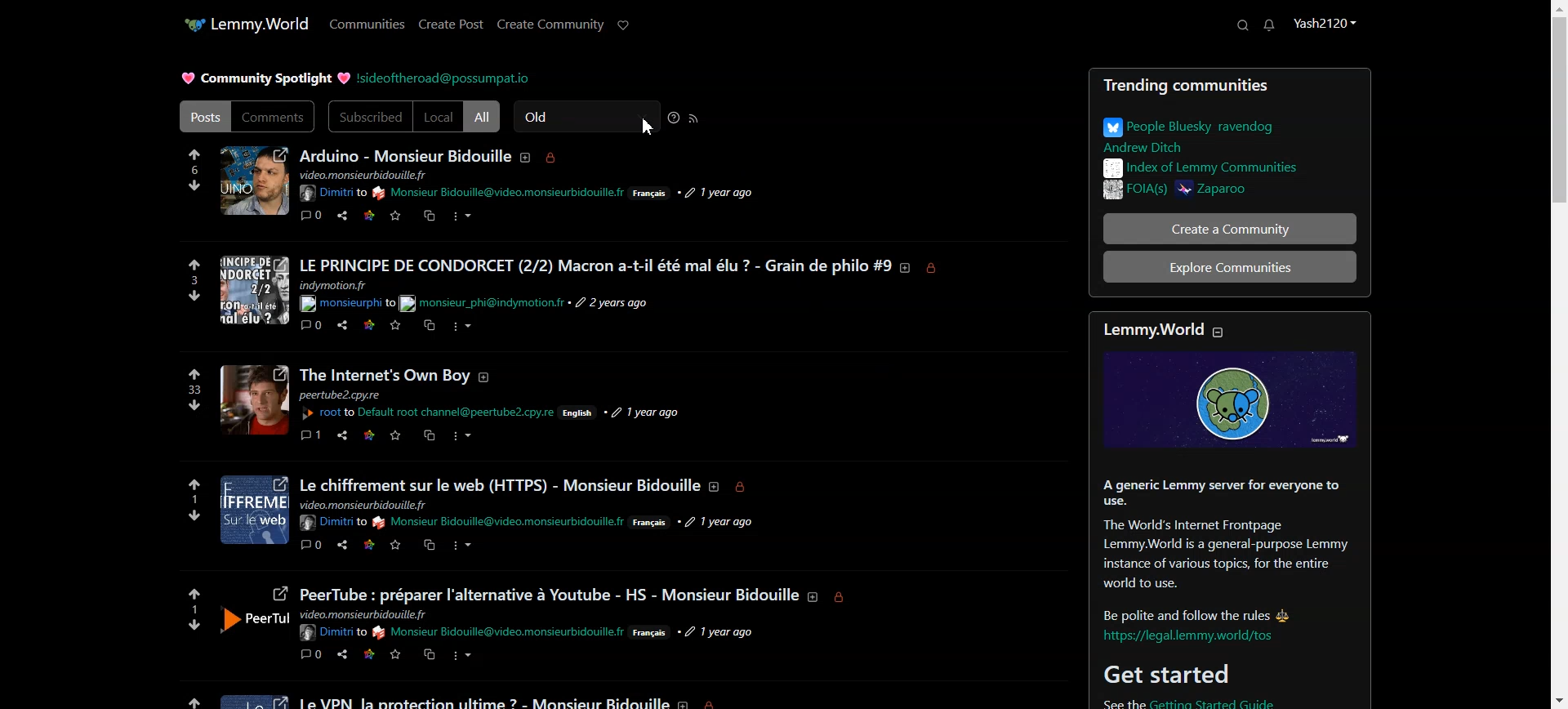 This screenshot has width=1568, height=709. What do you see at coordinates (622, 26) in the screenshot?
I see `Support Lemmy` at bounding box center [622, 26].